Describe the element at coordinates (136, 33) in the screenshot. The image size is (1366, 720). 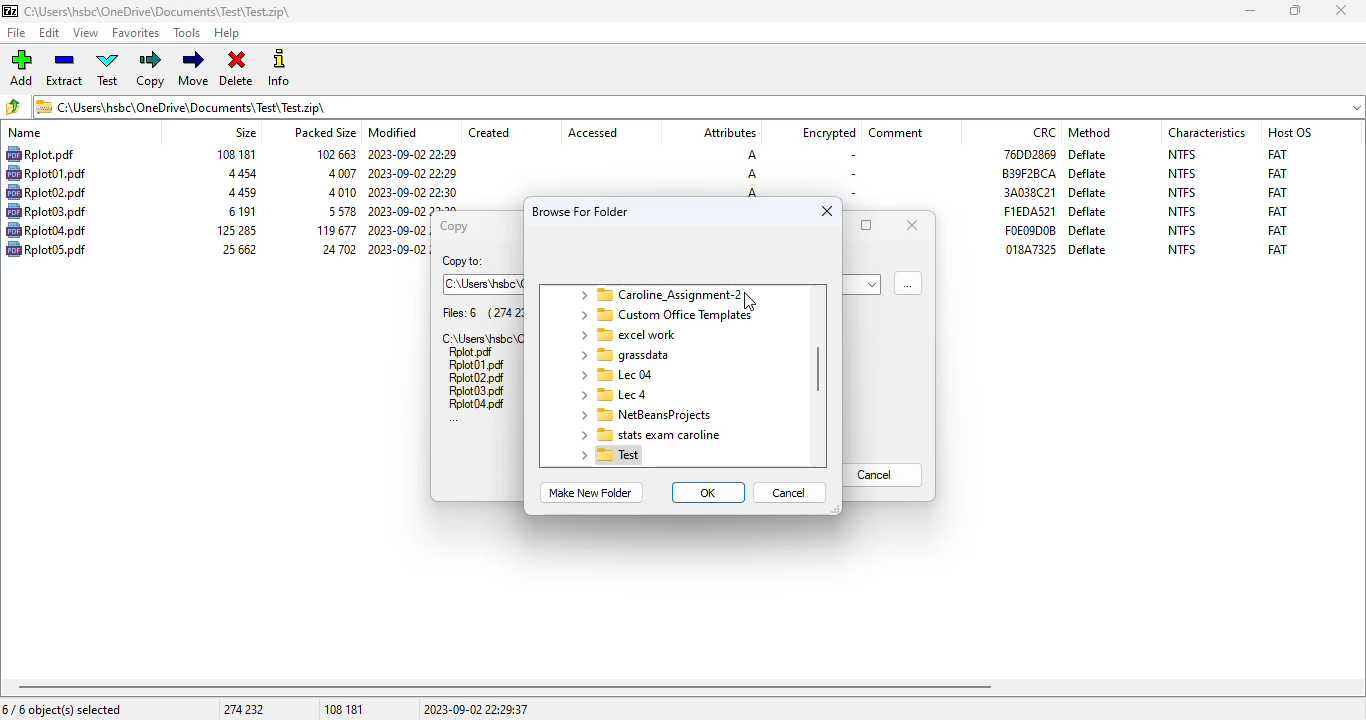
I see `favorites` at that location.